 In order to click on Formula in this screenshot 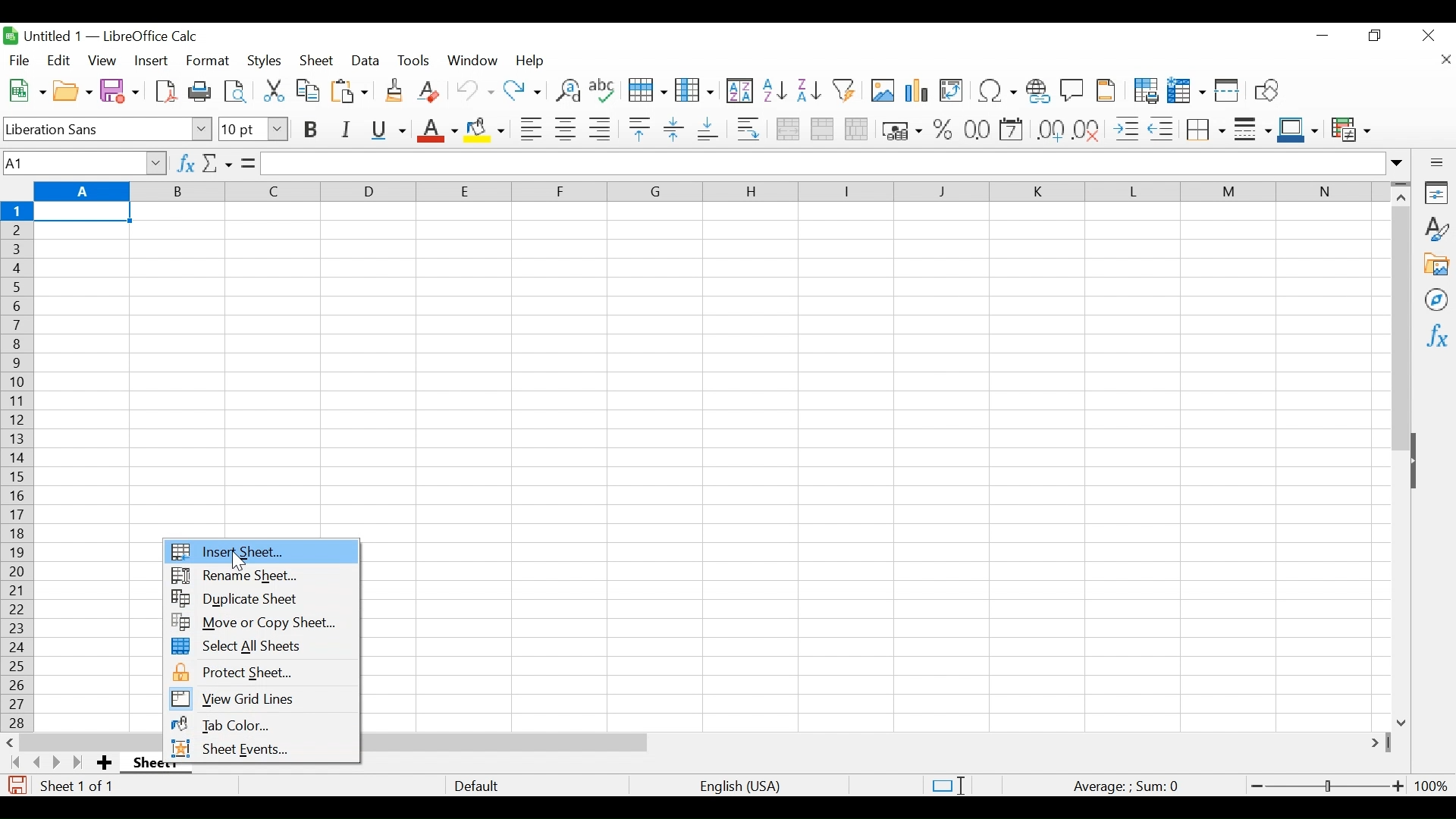, I will do `click(1131, 784)`.